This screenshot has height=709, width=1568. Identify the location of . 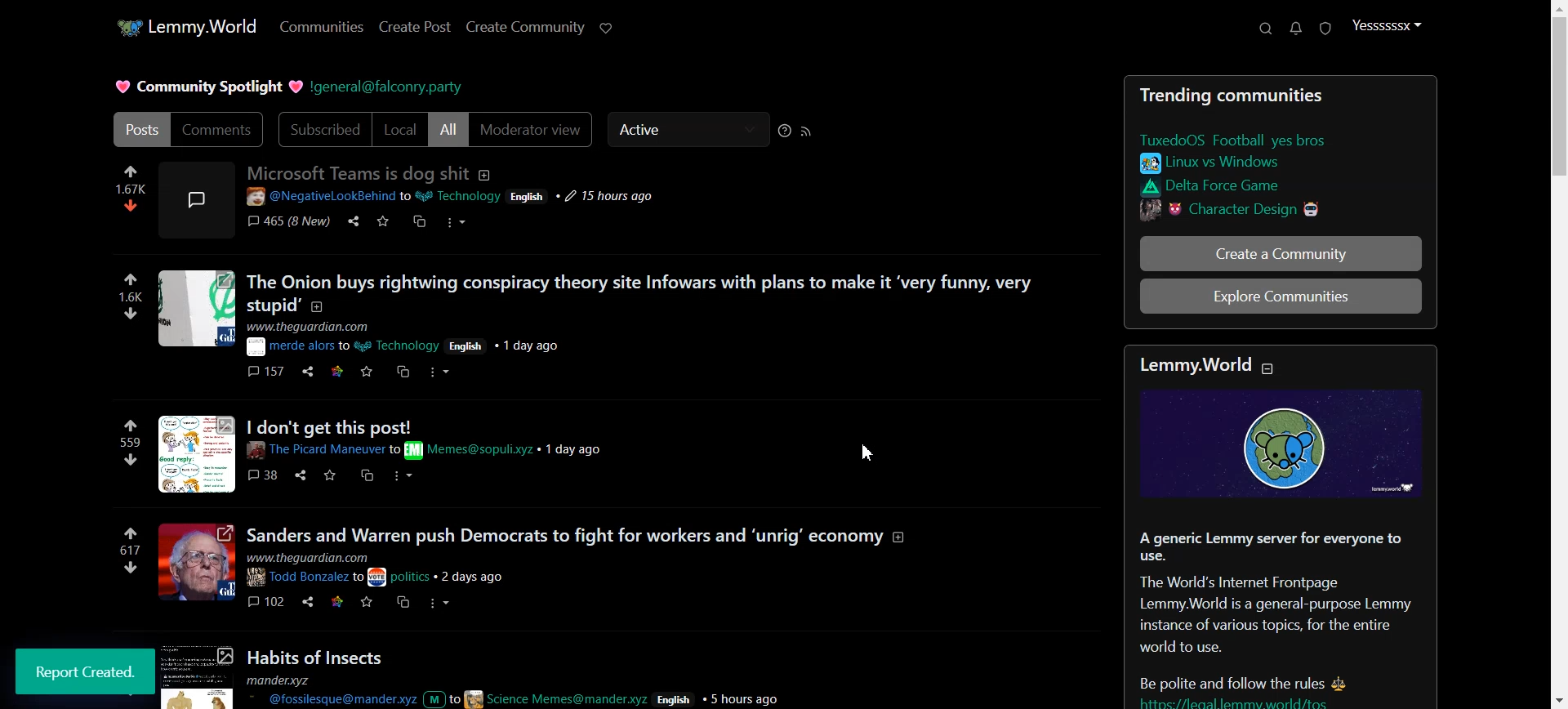
(434, 438).